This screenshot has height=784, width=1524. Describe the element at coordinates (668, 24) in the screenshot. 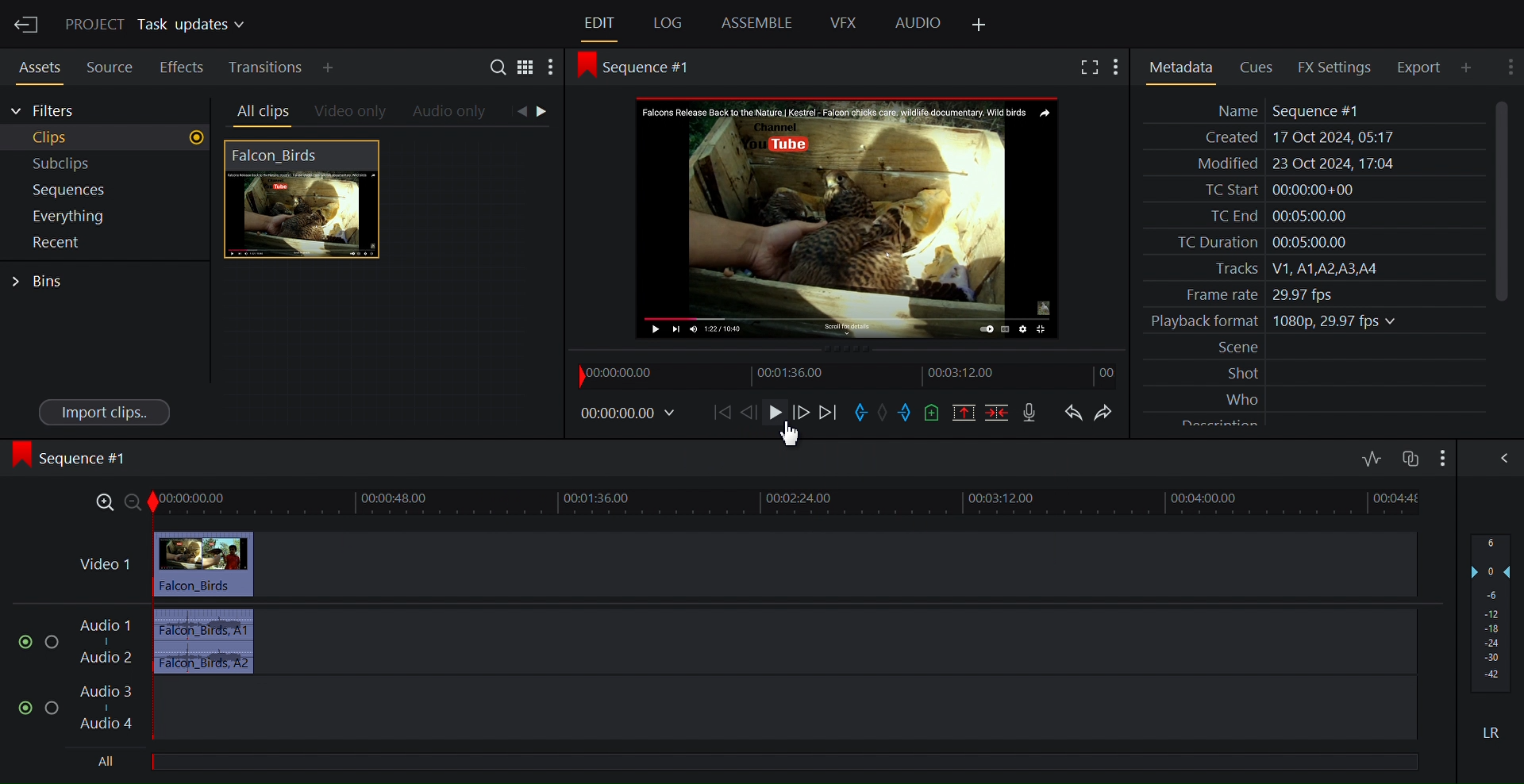

I see `Log` at that location.